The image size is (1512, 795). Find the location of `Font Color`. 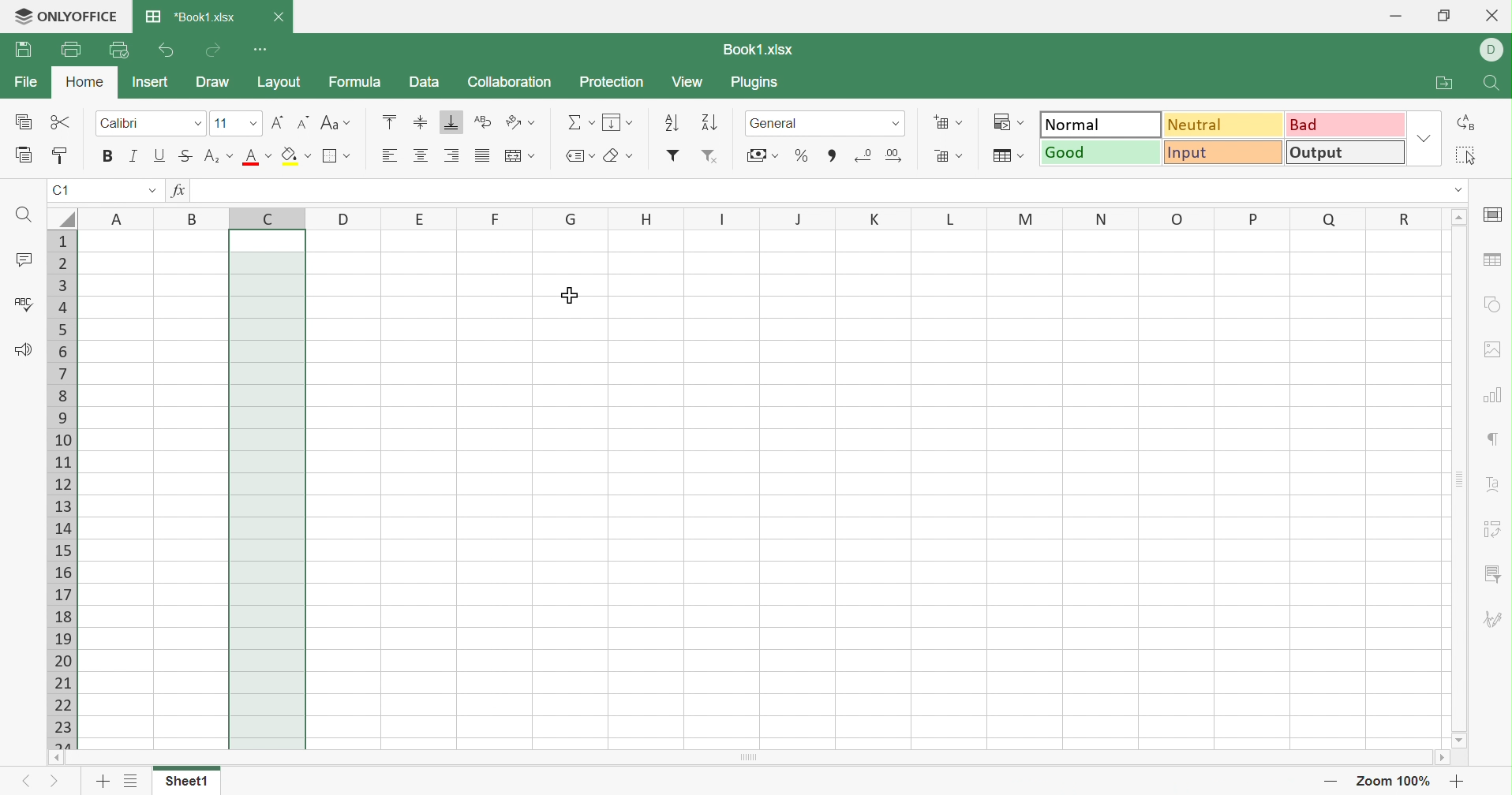

Font Color is located at coordinates (254, 157).